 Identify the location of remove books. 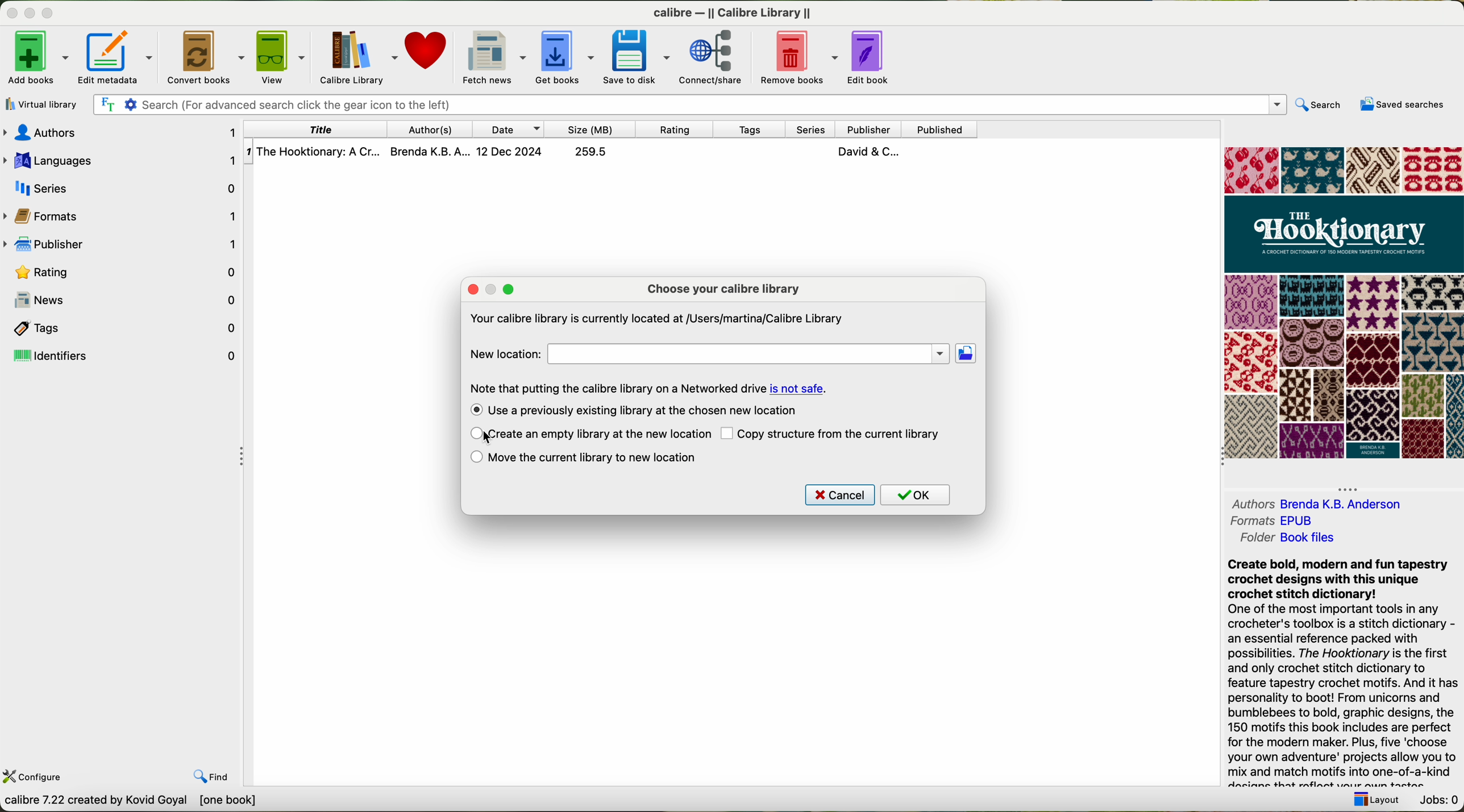
(798, 57).